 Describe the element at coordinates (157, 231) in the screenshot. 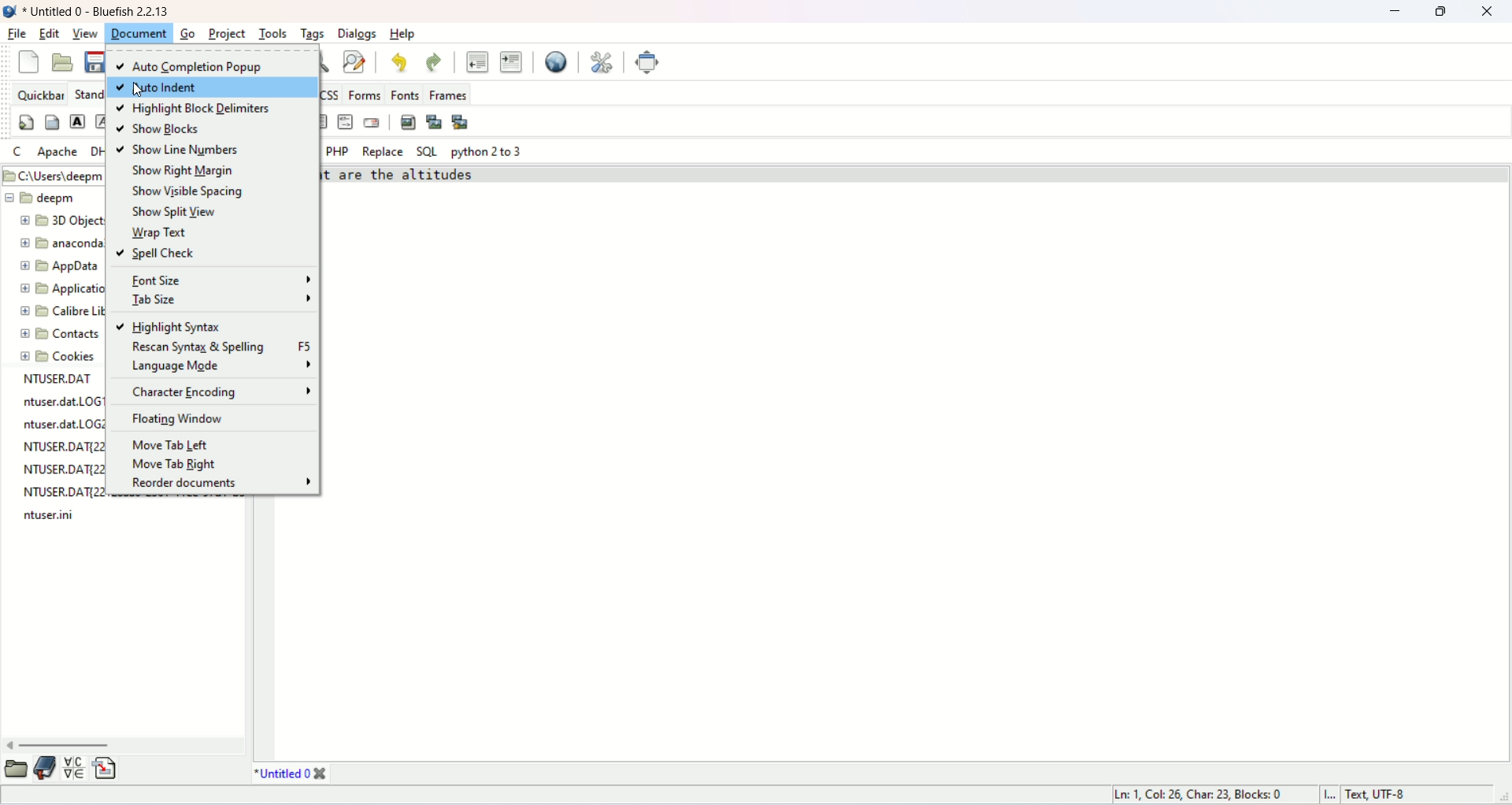

I see `wrap text` at that location.